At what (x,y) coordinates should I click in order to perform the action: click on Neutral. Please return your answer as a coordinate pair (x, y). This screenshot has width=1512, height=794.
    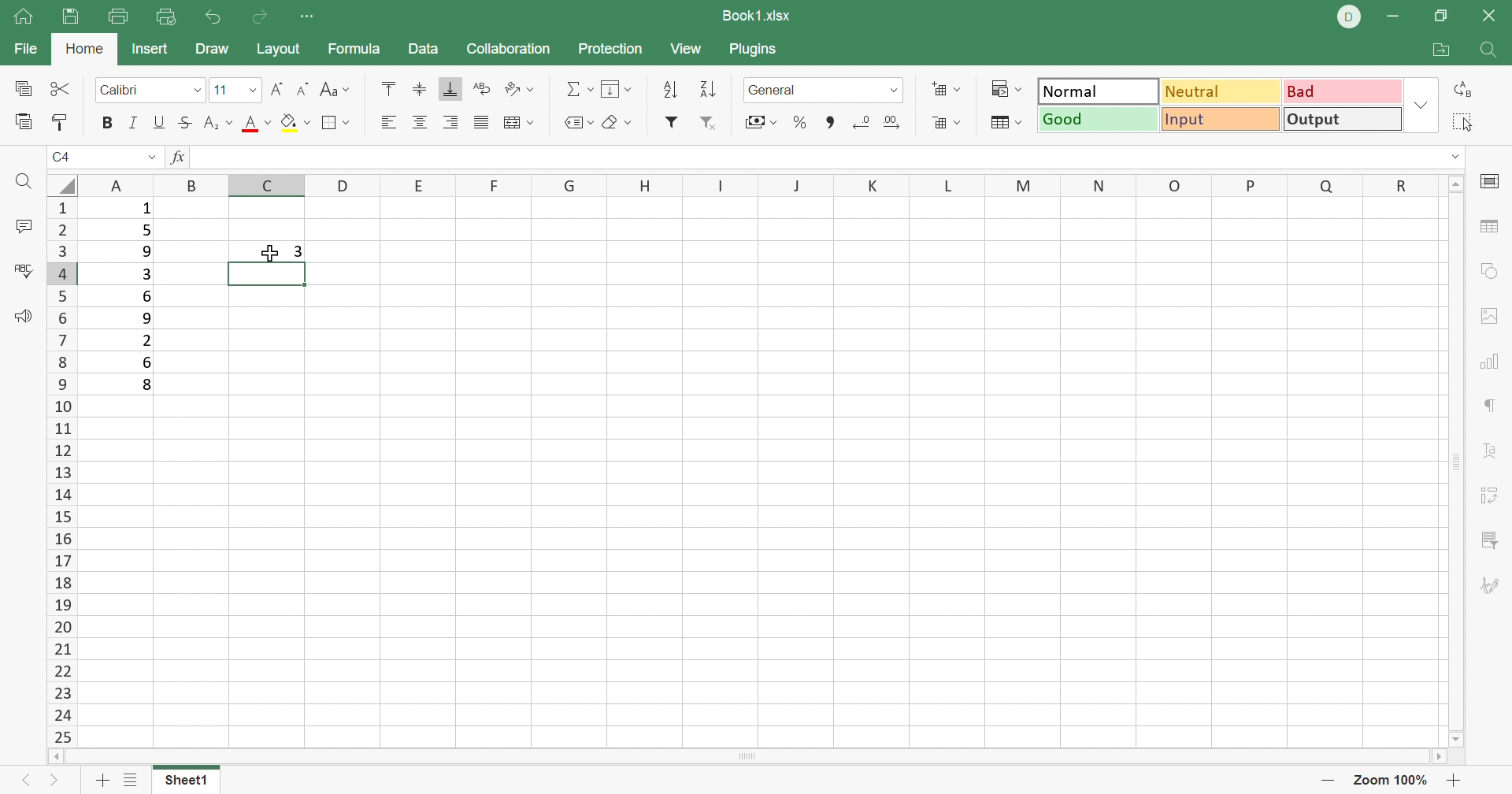
    Looking at the image, I should click on (1222, 92).